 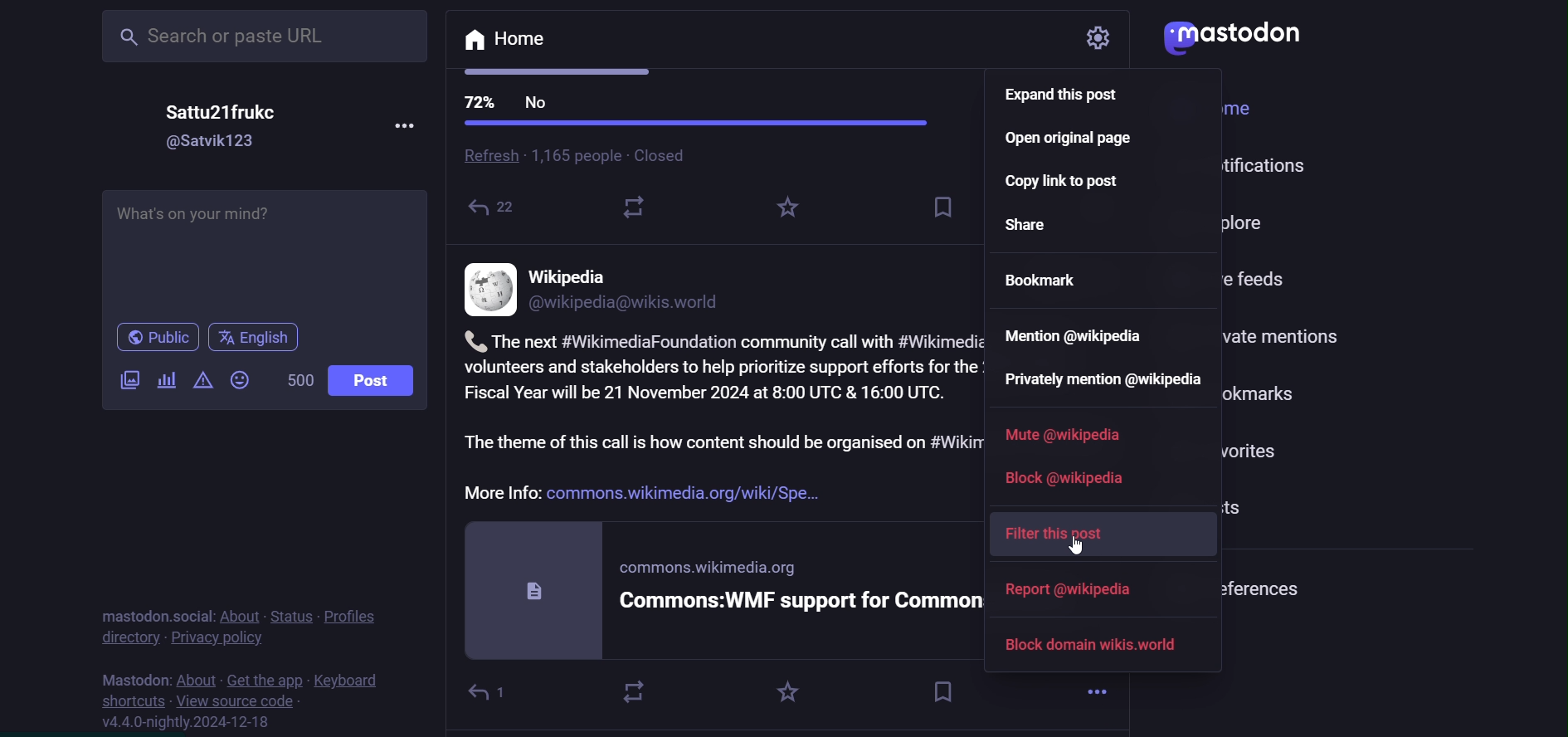 What do you see at coordinates (221, 637) in the screenshot?
I see `privacy policy` at bounding box center [221, 637].